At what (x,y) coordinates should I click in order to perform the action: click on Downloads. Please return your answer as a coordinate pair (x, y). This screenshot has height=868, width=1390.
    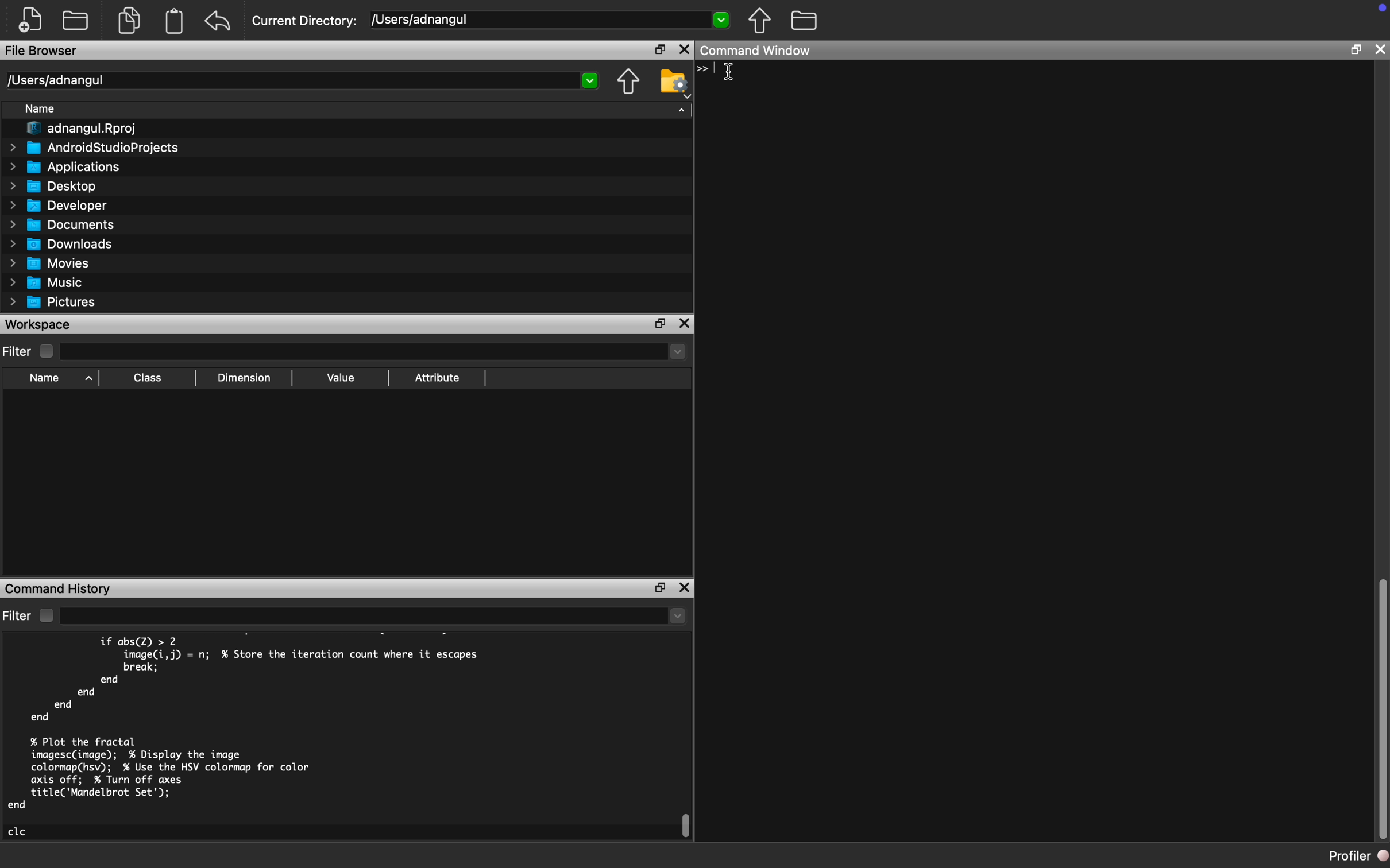
    Looking at the image, I should click on (63, 243).